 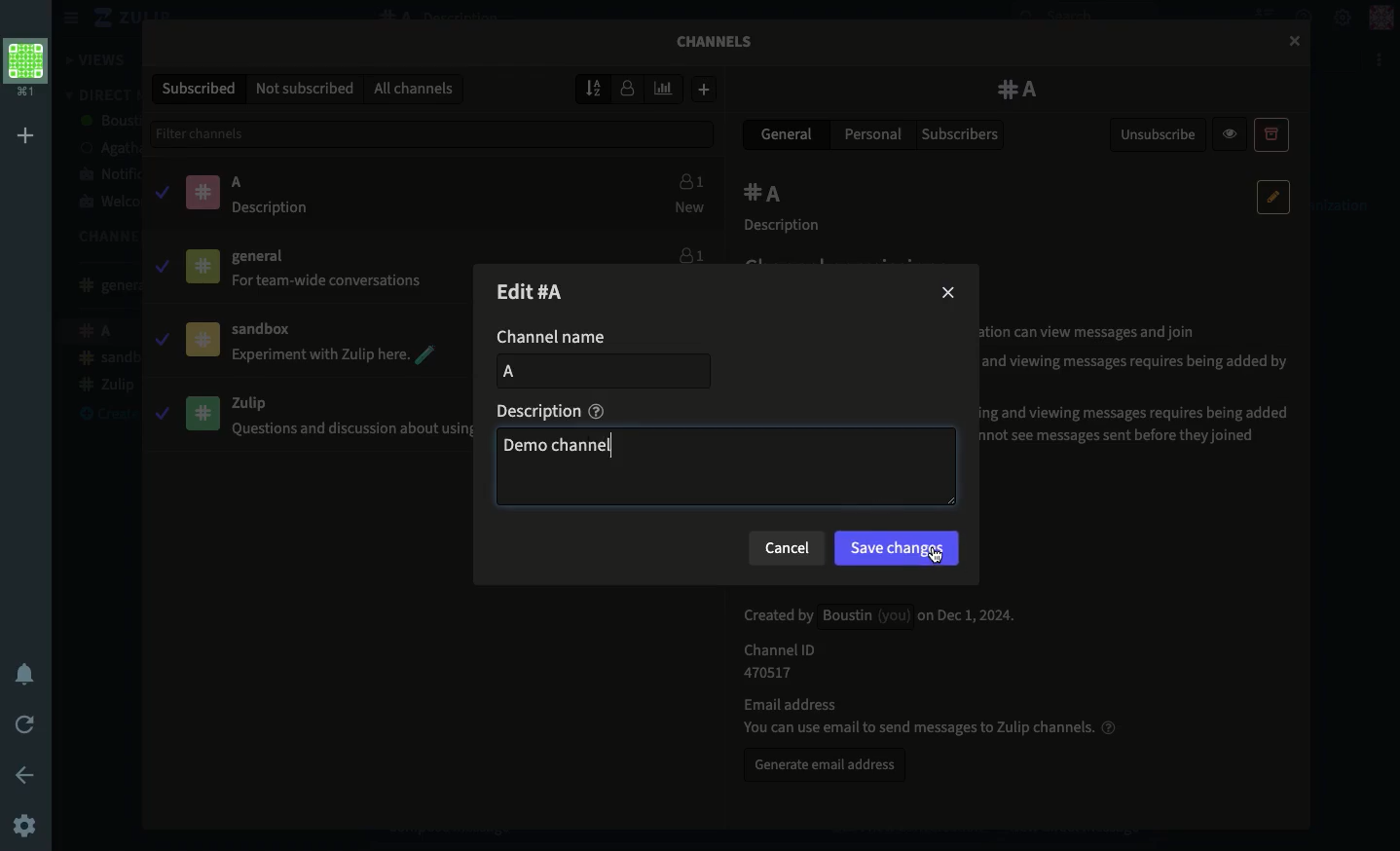 What do you see at coordinates (306, 414) in the screenshot?
I see `Zulip` at bounding box center [306, 414].